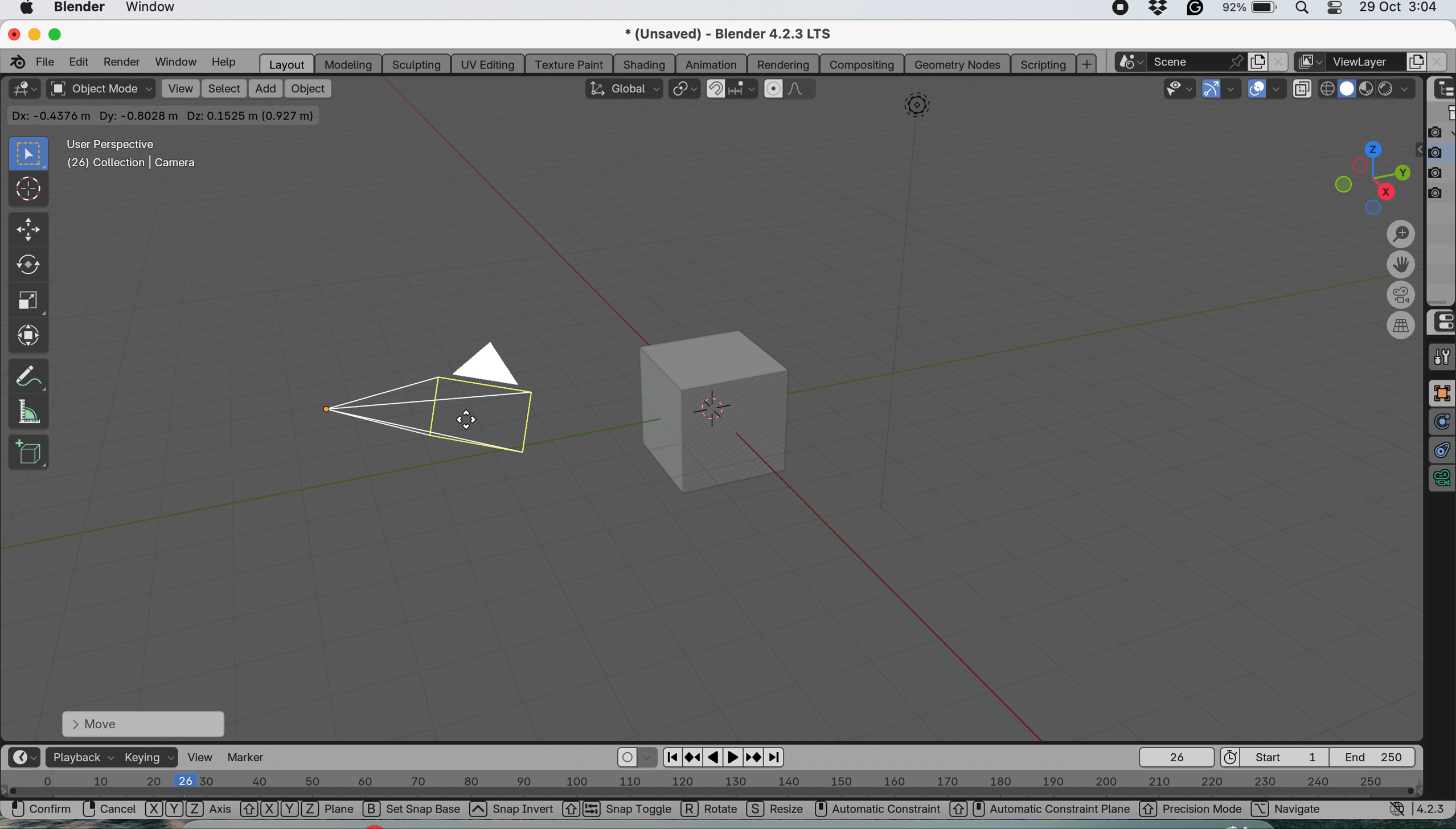 The image size is (1456, 829). I want to click on auto keying, so click(627, 758).